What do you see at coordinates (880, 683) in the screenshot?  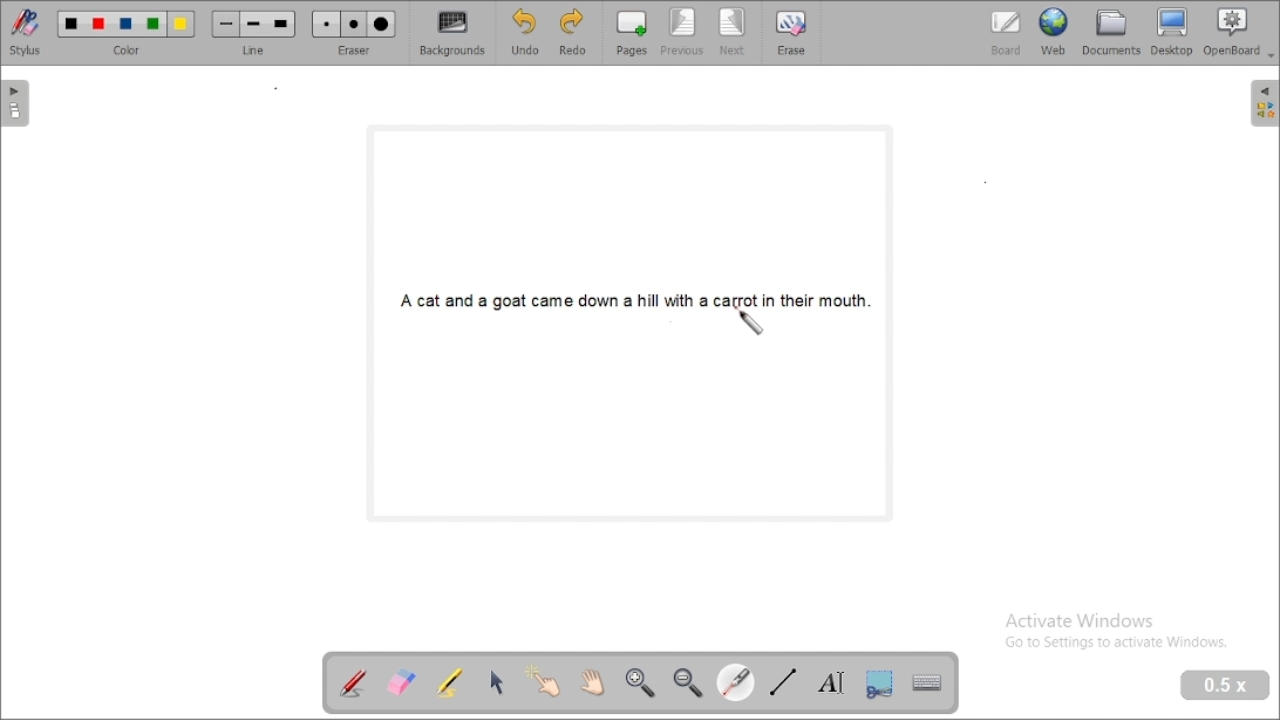 I see `capture part of the screen` at bounding box center [880, 683].